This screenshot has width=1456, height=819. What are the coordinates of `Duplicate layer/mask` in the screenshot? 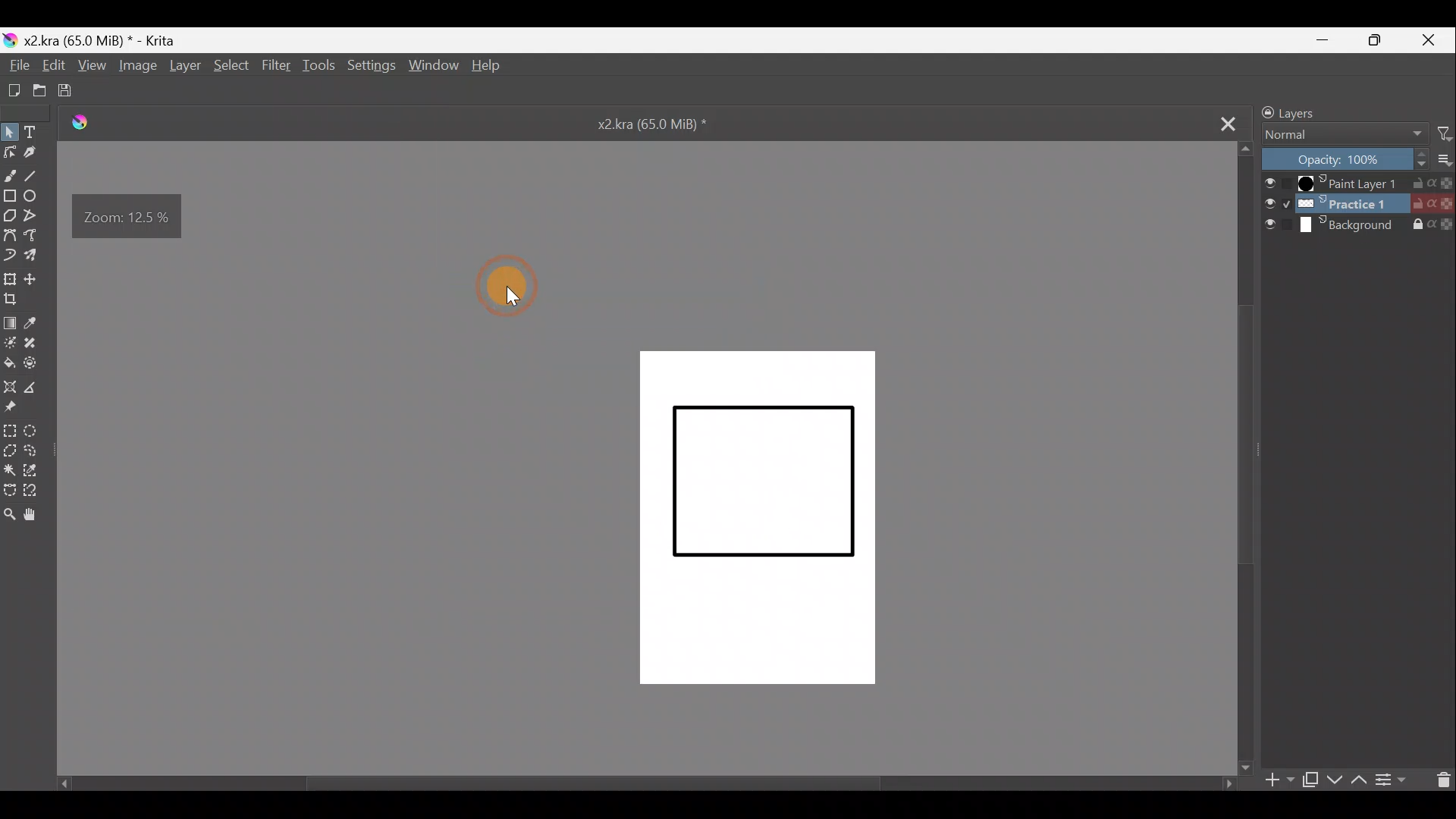 It's located at (1312, 783).